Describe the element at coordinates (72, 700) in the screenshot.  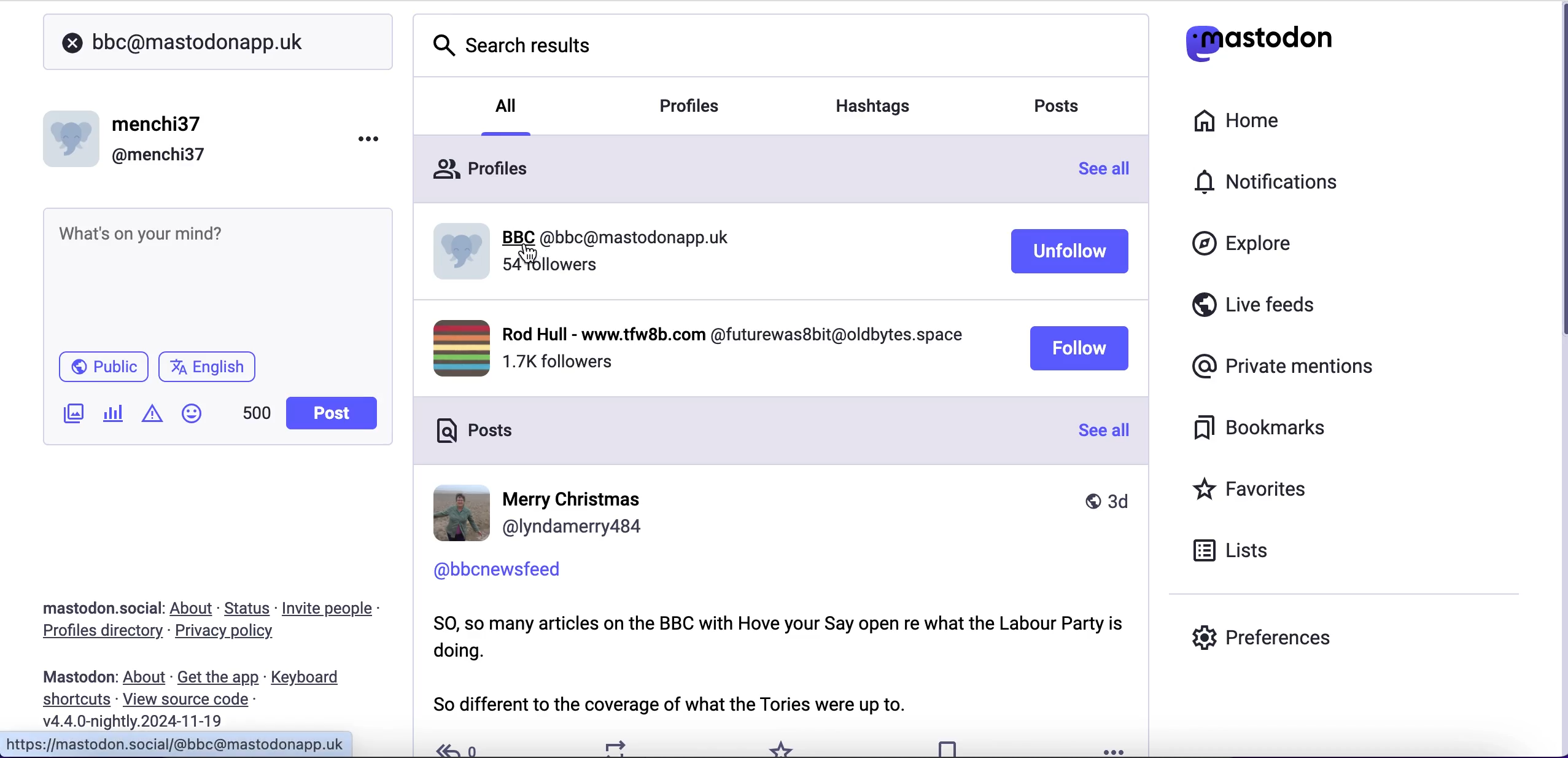
I see `shortcuts` at that location.